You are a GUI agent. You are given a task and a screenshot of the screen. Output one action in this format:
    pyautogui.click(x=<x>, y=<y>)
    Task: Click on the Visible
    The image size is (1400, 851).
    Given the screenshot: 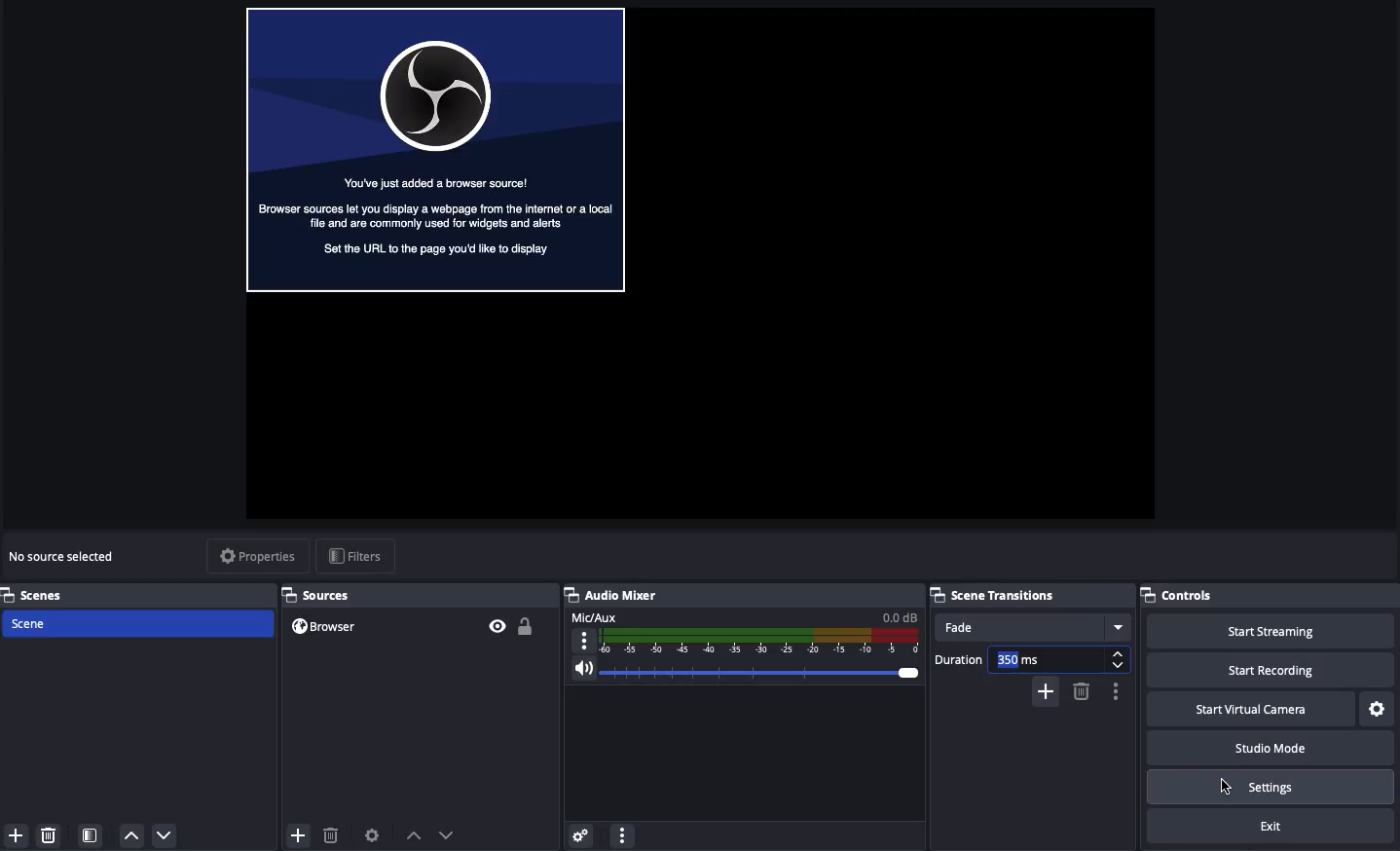 What is the action you would take?
    pyautogui.click(x=497, y=627)
    